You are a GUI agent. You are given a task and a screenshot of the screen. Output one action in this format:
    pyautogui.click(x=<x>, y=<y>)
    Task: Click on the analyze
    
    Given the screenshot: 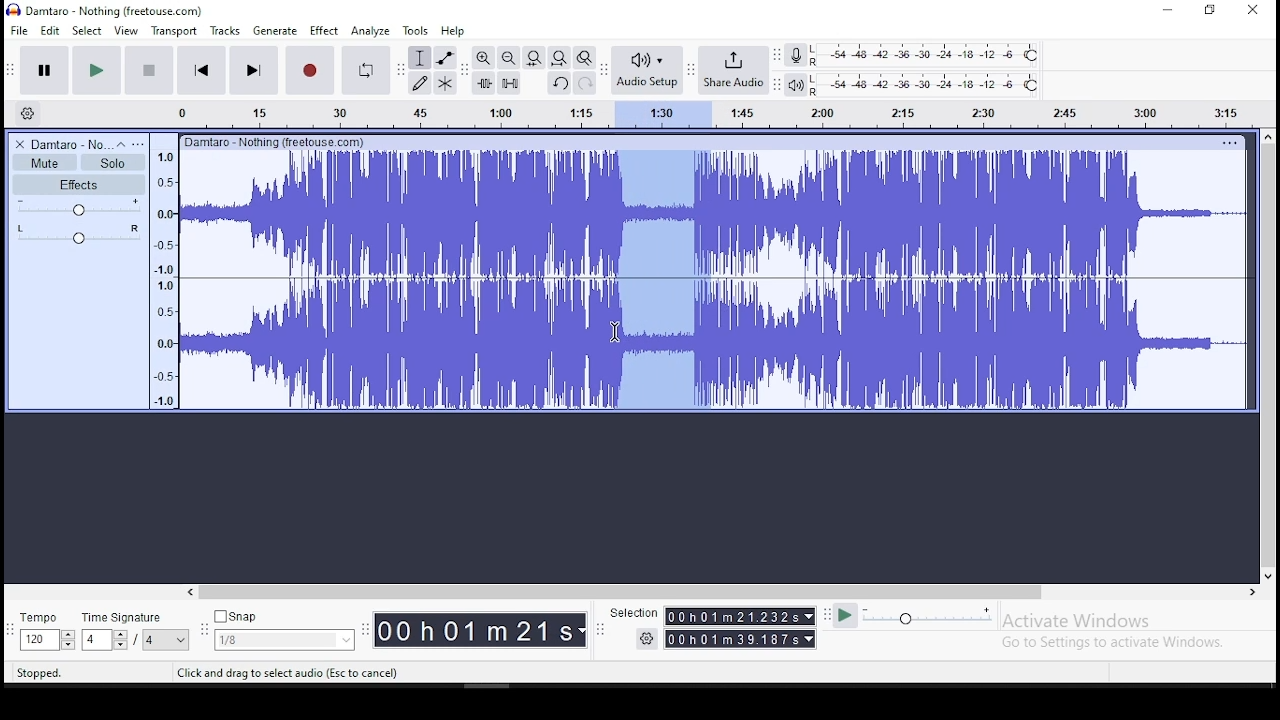 What is the action you would take?
    pyautogui.click(x=371, y=31)
    